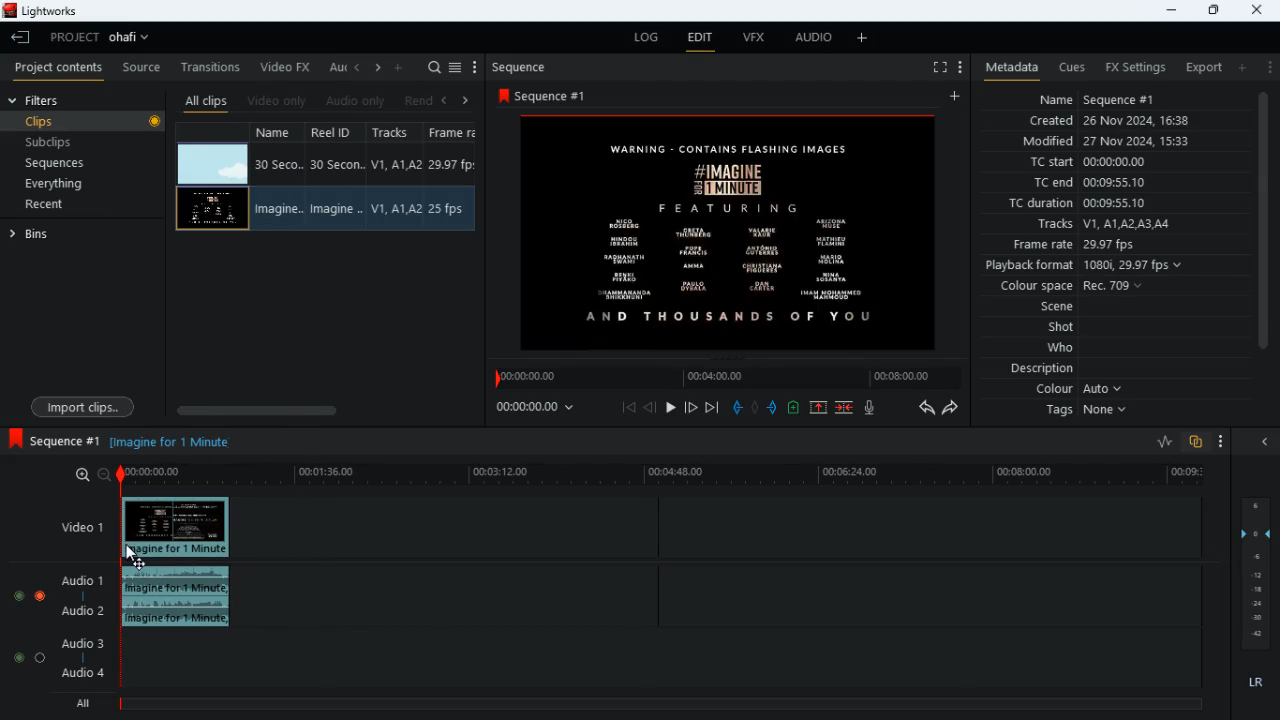 Image resolution: width=1280 pixels, height=720 pixels. Describe the element at coordinates (845, 406) in the screenshot. I see `merge` at that location.